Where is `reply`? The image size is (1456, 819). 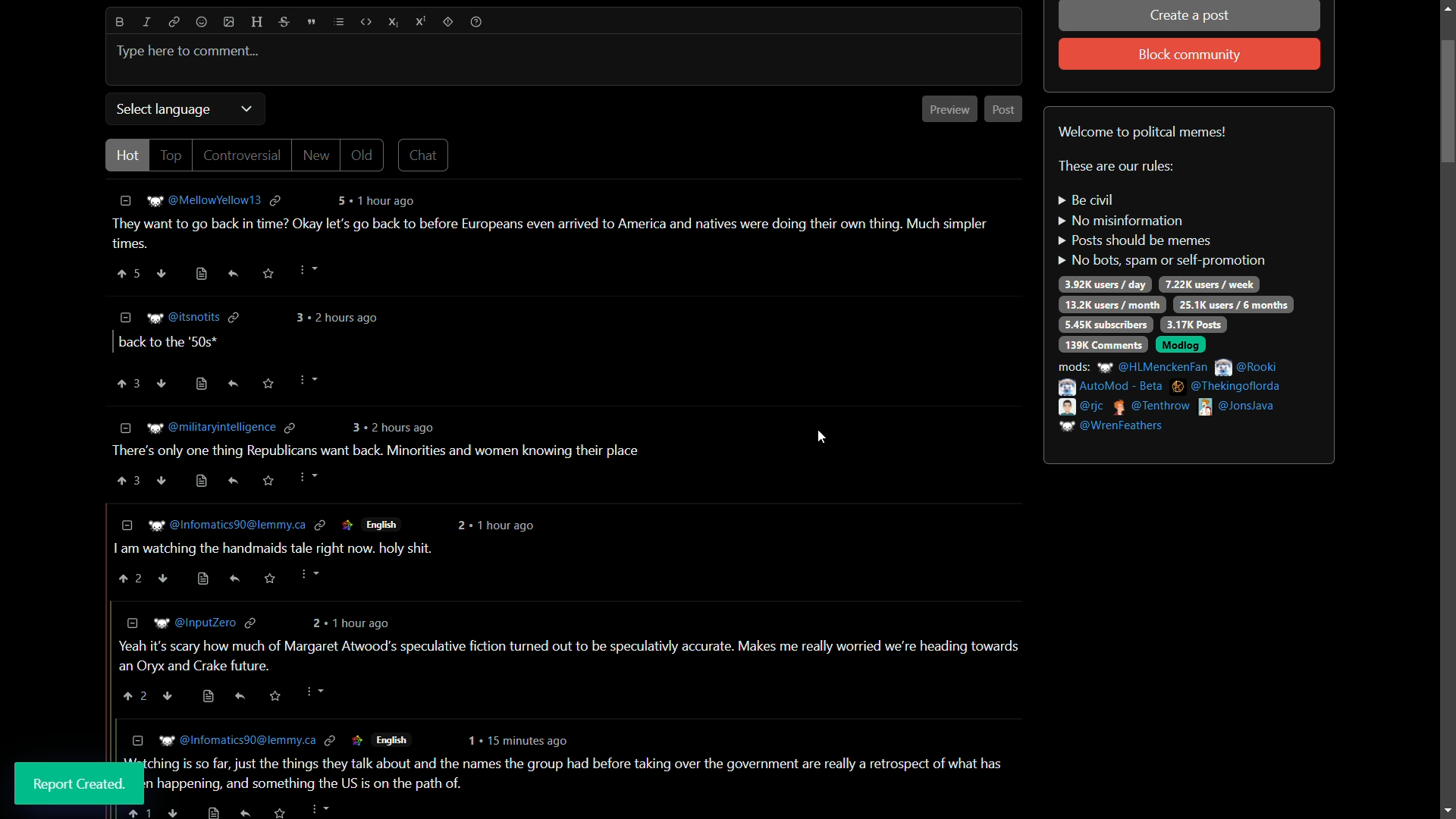 reply is located at coordinates (234, 384).